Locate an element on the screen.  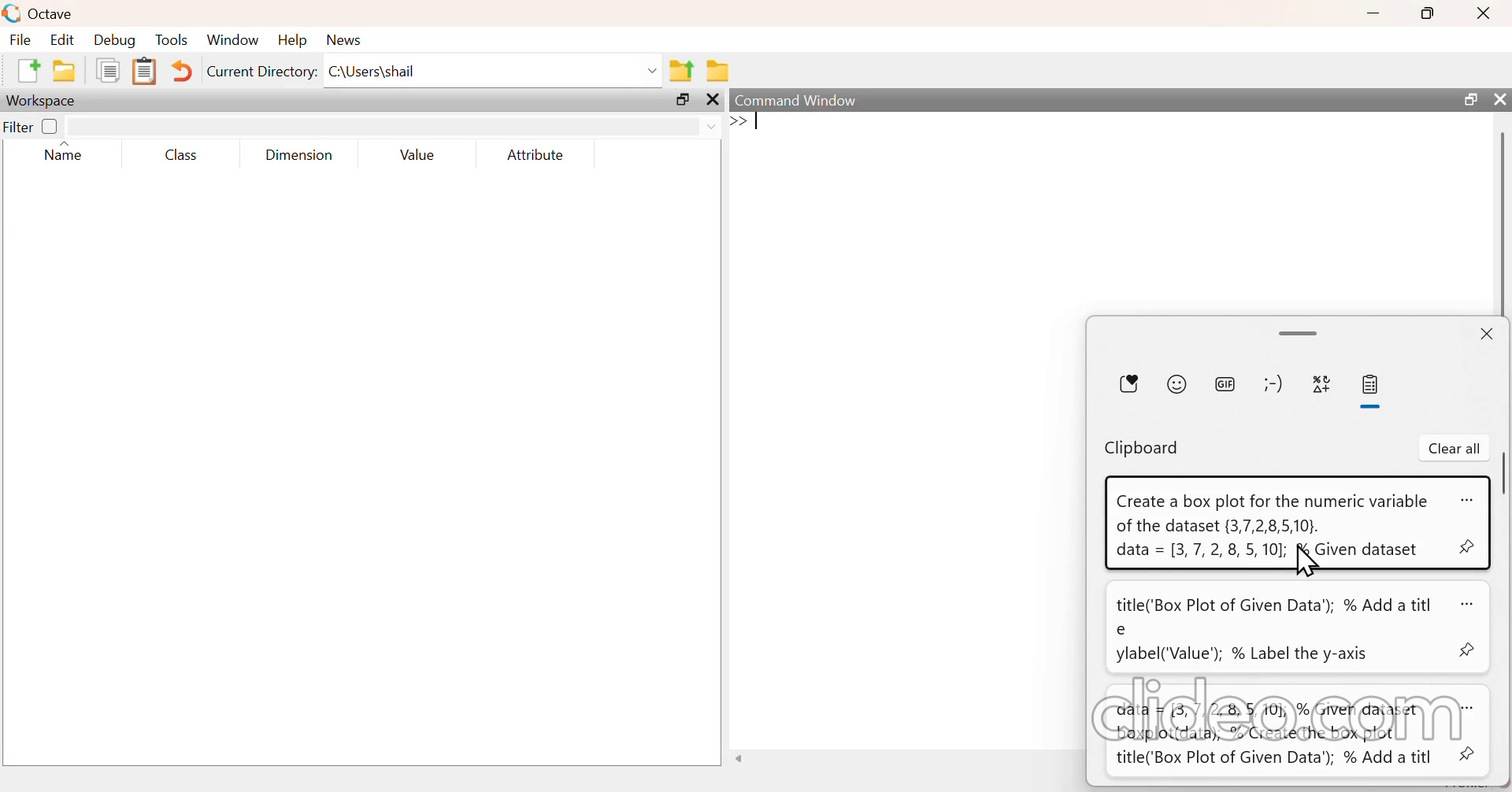
file is located at coordinates (19, 39).